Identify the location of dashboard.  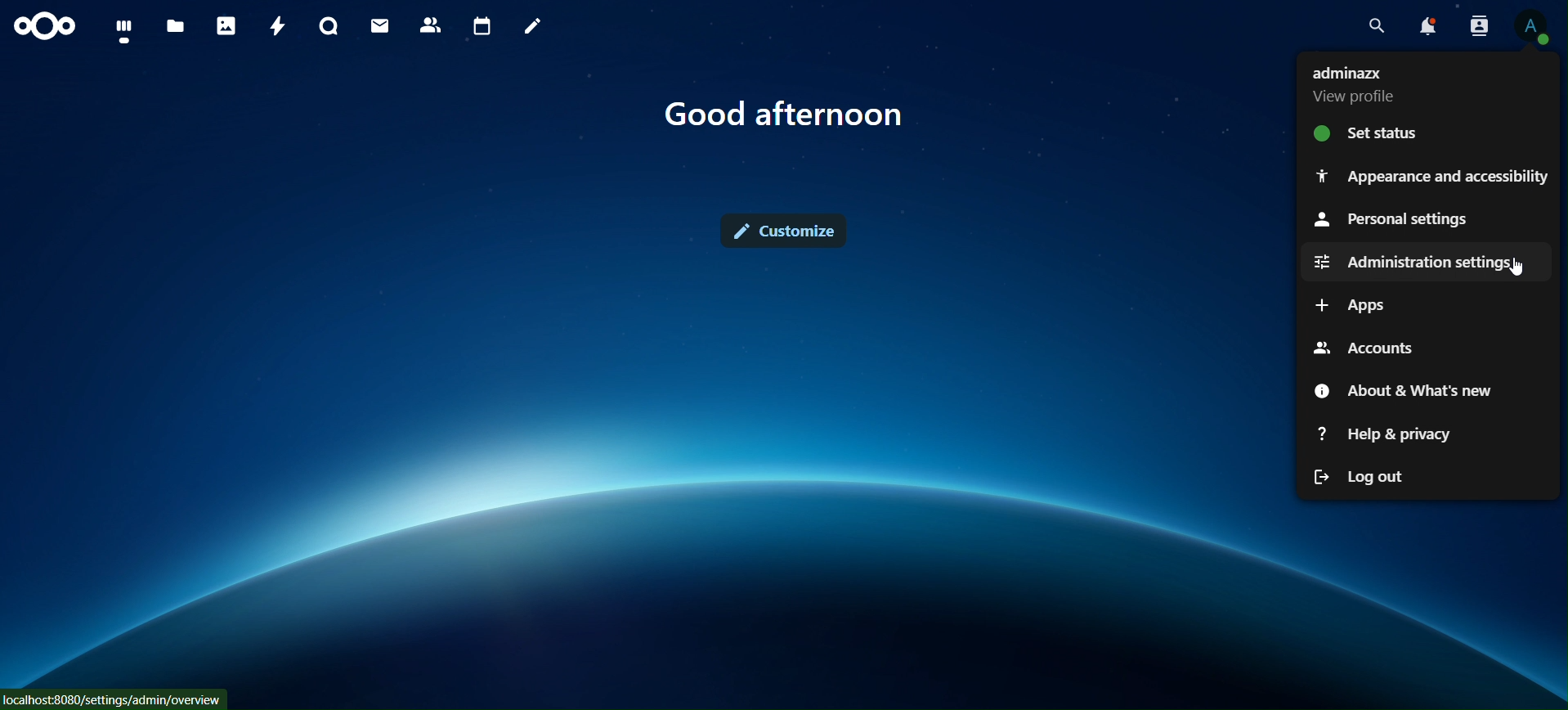
(123, 32).